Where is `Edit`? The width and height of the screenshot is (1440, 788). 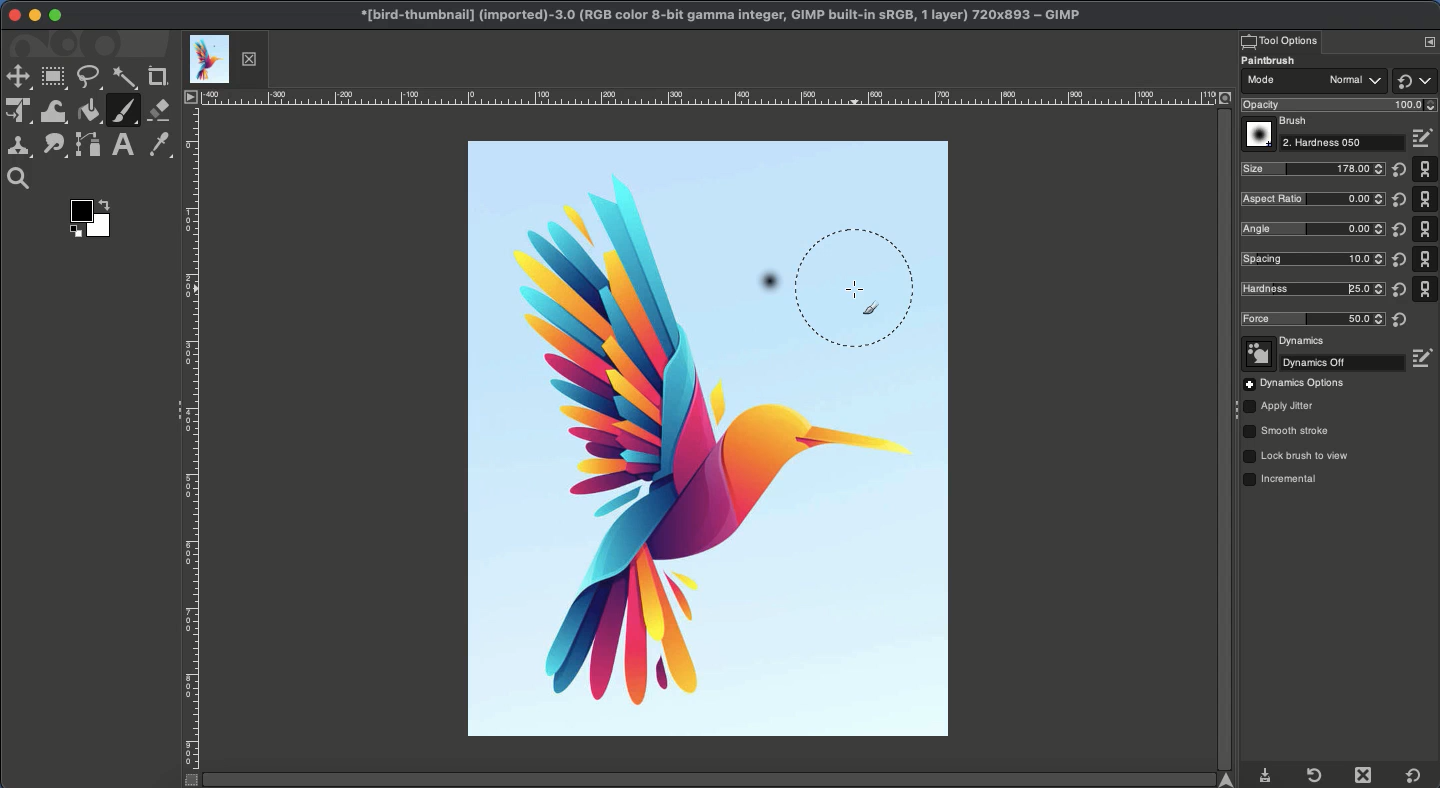 Edit is located at coordinates (1425, 358).